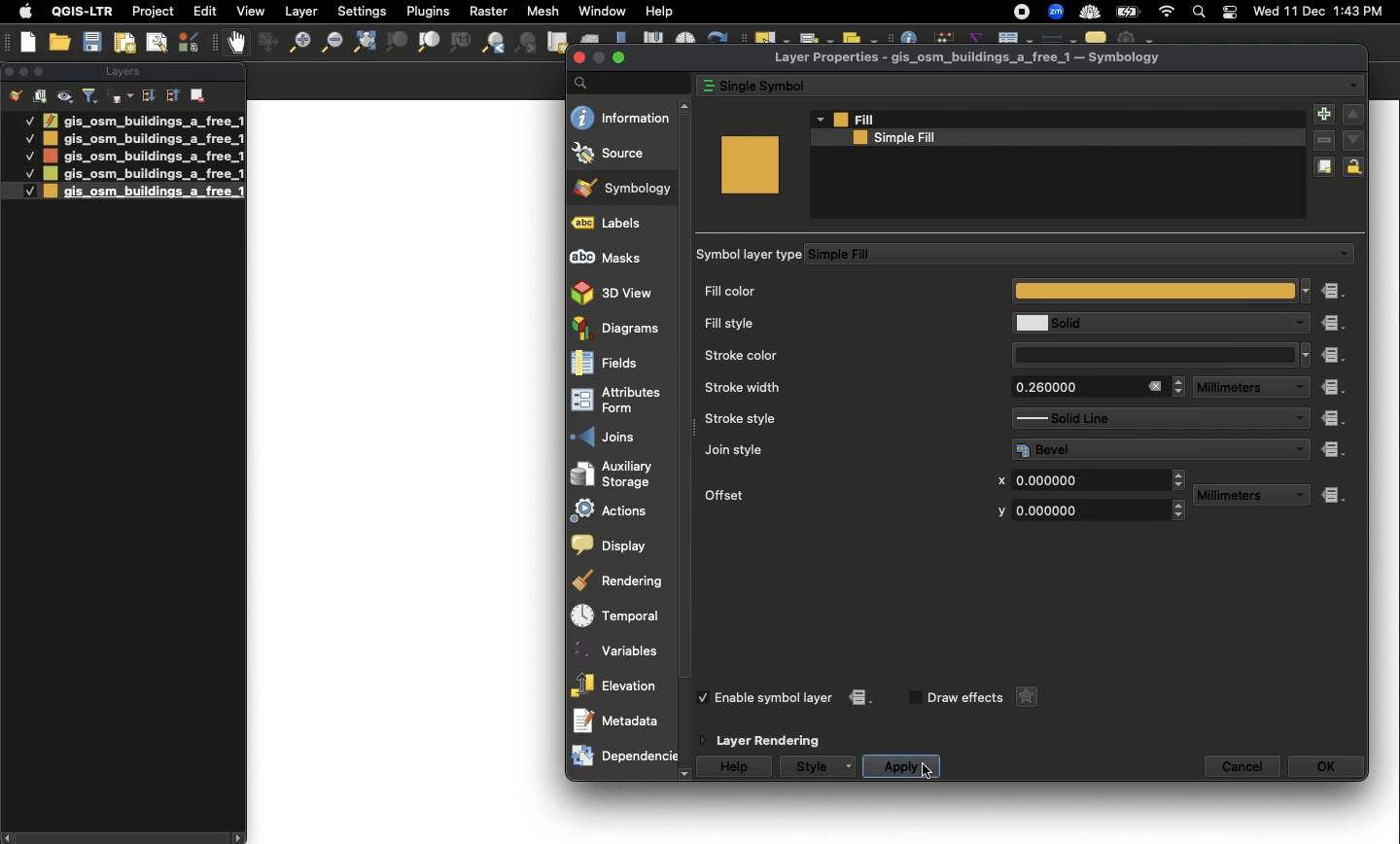  Describe the element at coordinates (1088, 478) in the screenshot. I see ` 0.000000` at that location.